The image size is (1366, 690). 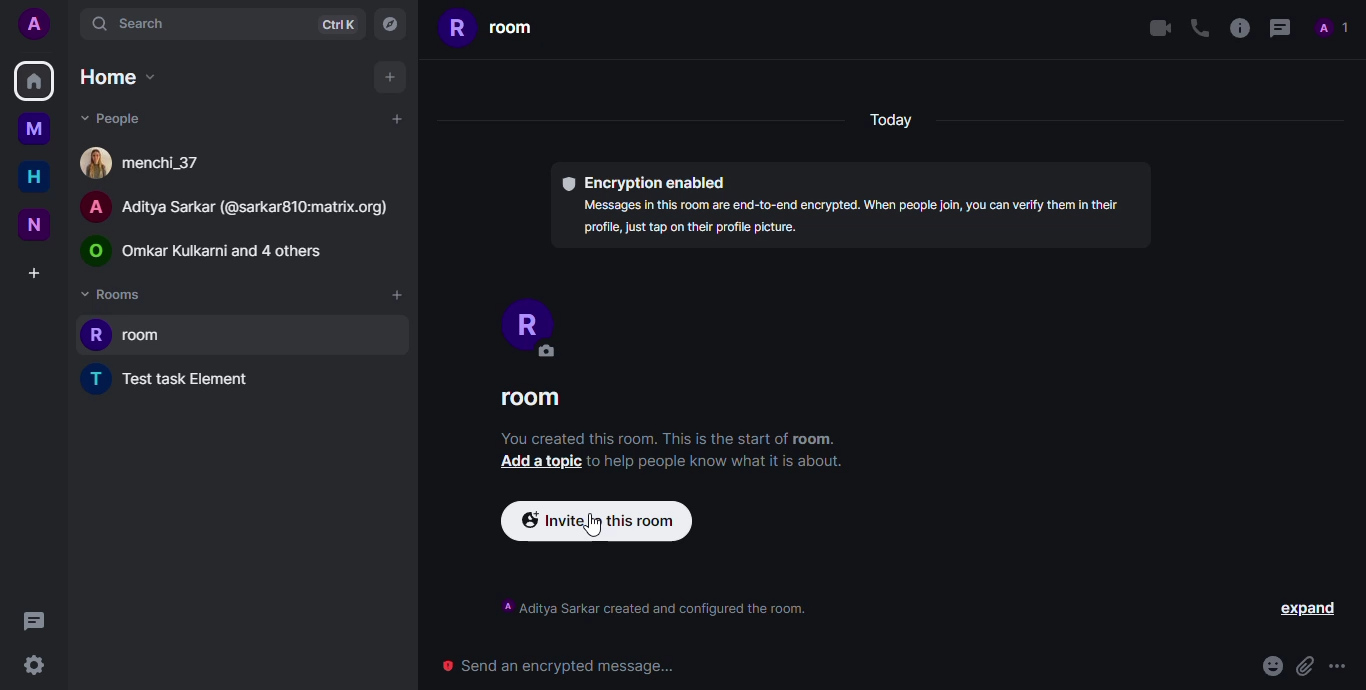 What do you see at coordinates (35, 271) in the screenshot?
I see `create a space` at bounding box center [35, 271].